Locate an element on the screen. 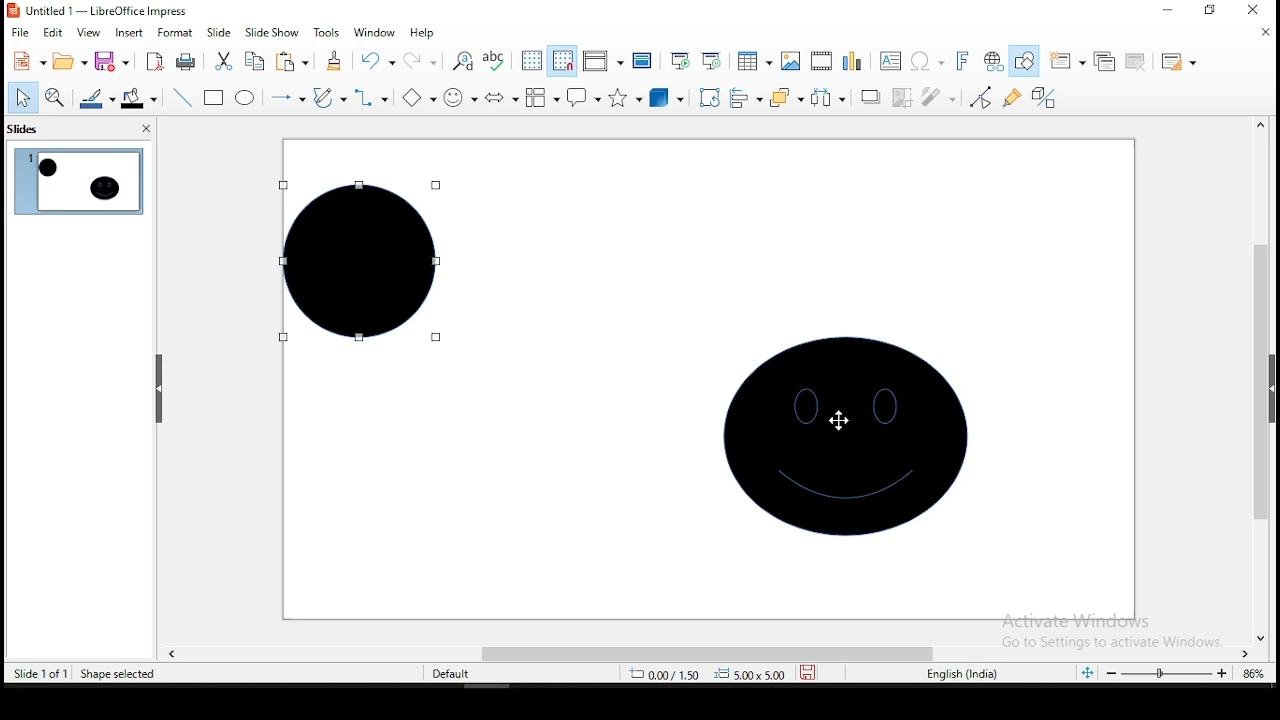 Image resolution: width=1280 pixels, height=720 pixels. close window is located at coordinates (1260, 11).